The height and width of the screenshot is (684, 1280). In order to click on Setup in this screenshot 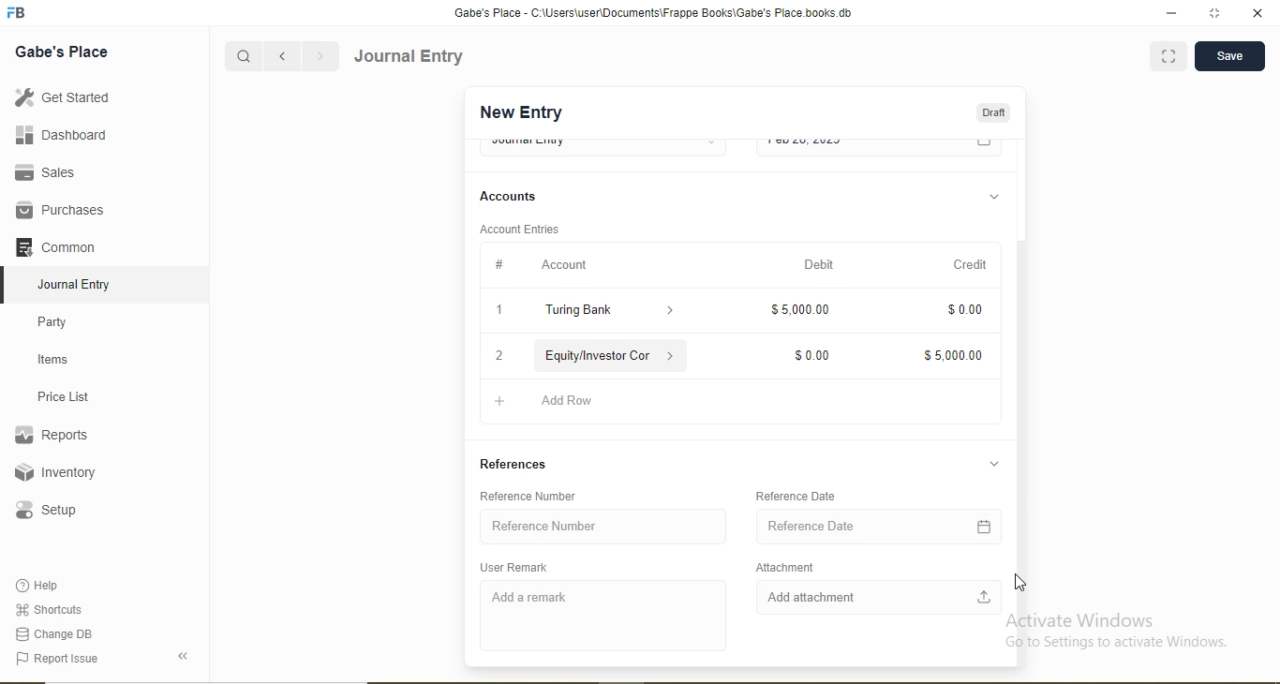, I will do `click(45, 510)`.